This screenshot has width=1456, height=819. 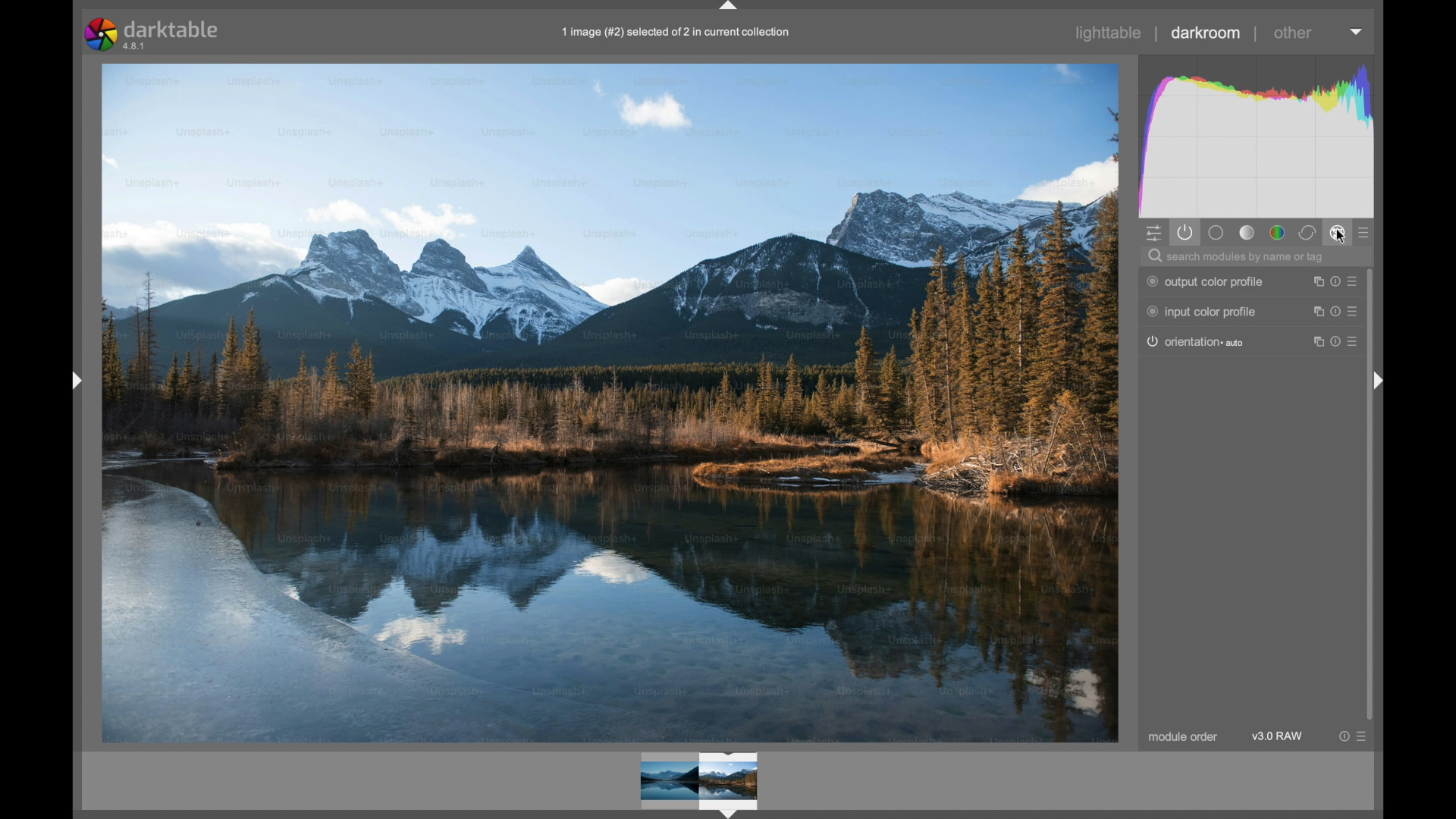 What do you see at coordinates (153, 34) in the screenshot?
I see `darktable 4.8.1` at bounding box center [153, 34].